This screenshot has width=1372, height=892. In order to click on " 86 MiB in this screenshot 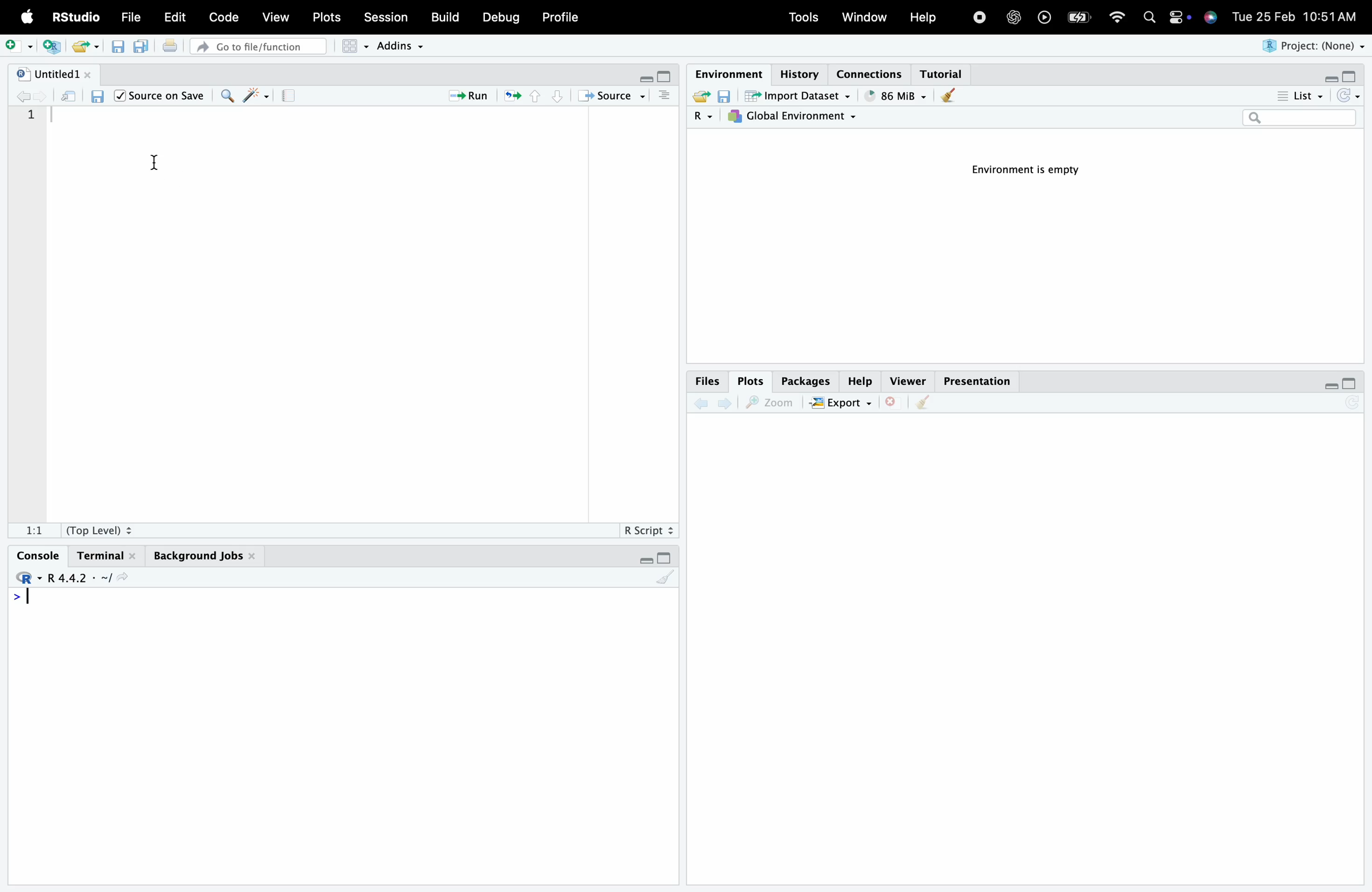, I will do `click(895, 96)`.